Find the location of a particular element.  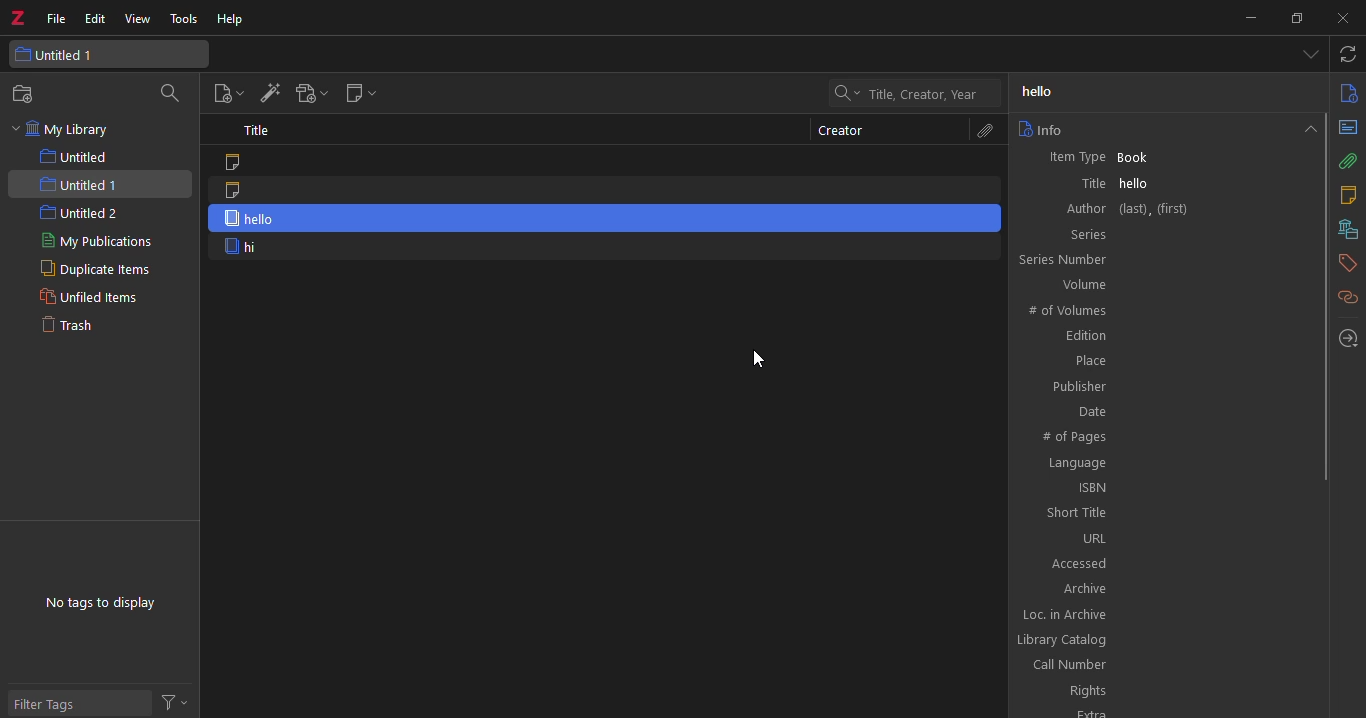

minimize is located at coordinates (1250, 17).